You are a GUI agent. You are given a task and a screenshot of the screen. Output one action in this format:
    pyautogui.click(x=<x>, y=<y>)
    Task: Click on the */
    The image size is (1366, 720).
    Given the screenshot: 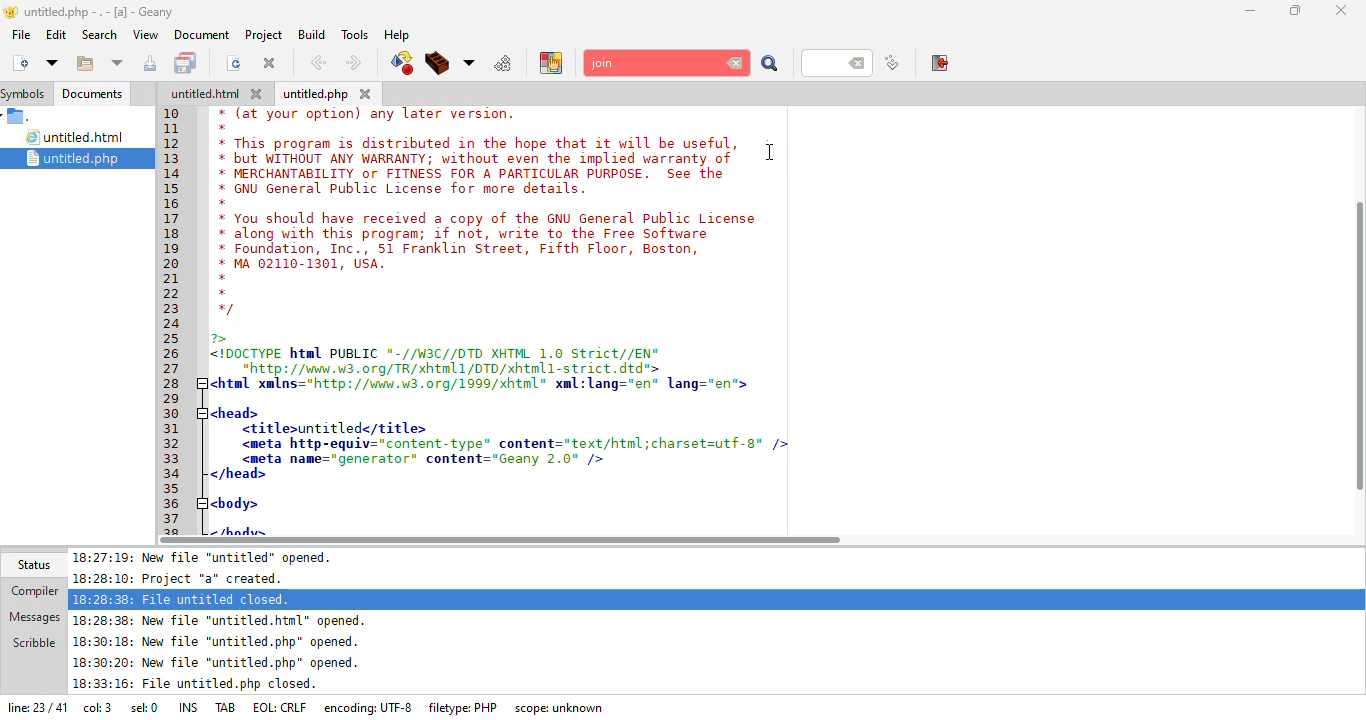 What is the action you would take?
    pyautogui.click(x=226, y=310)
    